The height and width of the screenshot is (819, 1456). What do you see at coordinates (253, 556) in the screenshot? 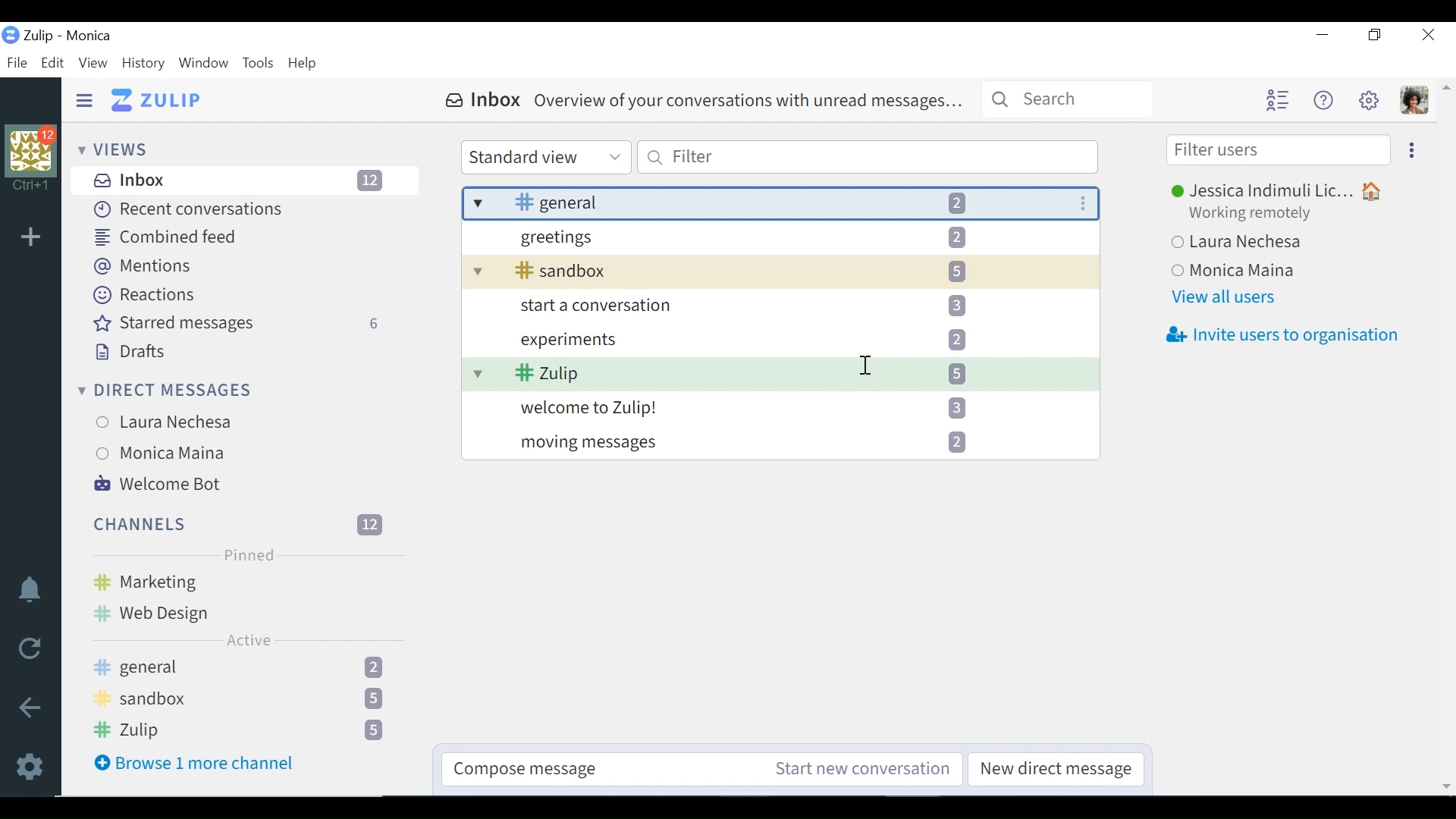
I see `Pinned` at bounding box center [253, 556].